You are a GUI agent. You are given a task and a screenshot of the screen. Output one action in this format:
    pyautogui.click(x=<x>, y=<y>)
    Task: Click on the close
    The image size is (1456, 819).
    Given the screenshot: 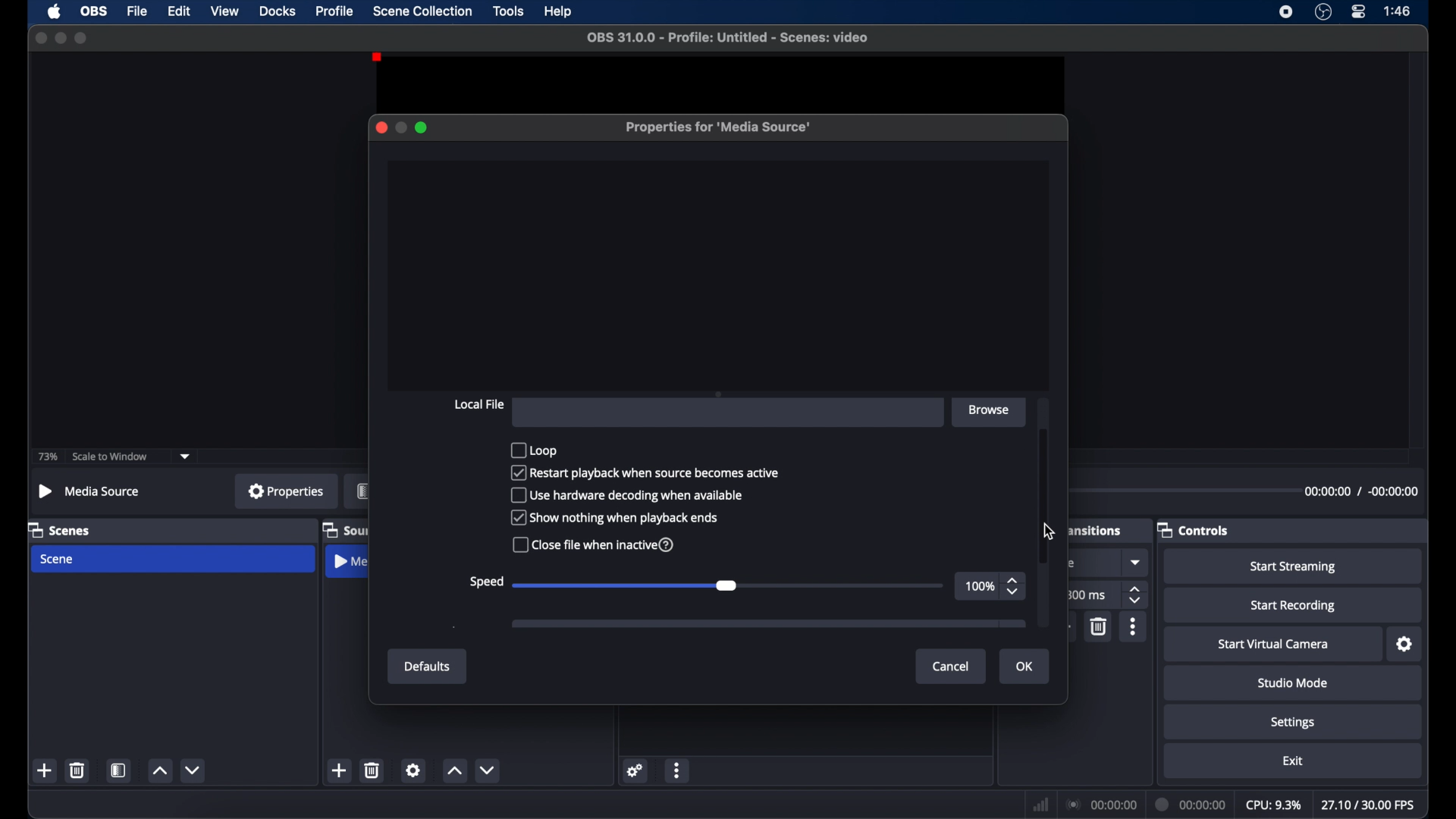 What is the action you would take?
    pyautogui.click(x=381, y=127)
    